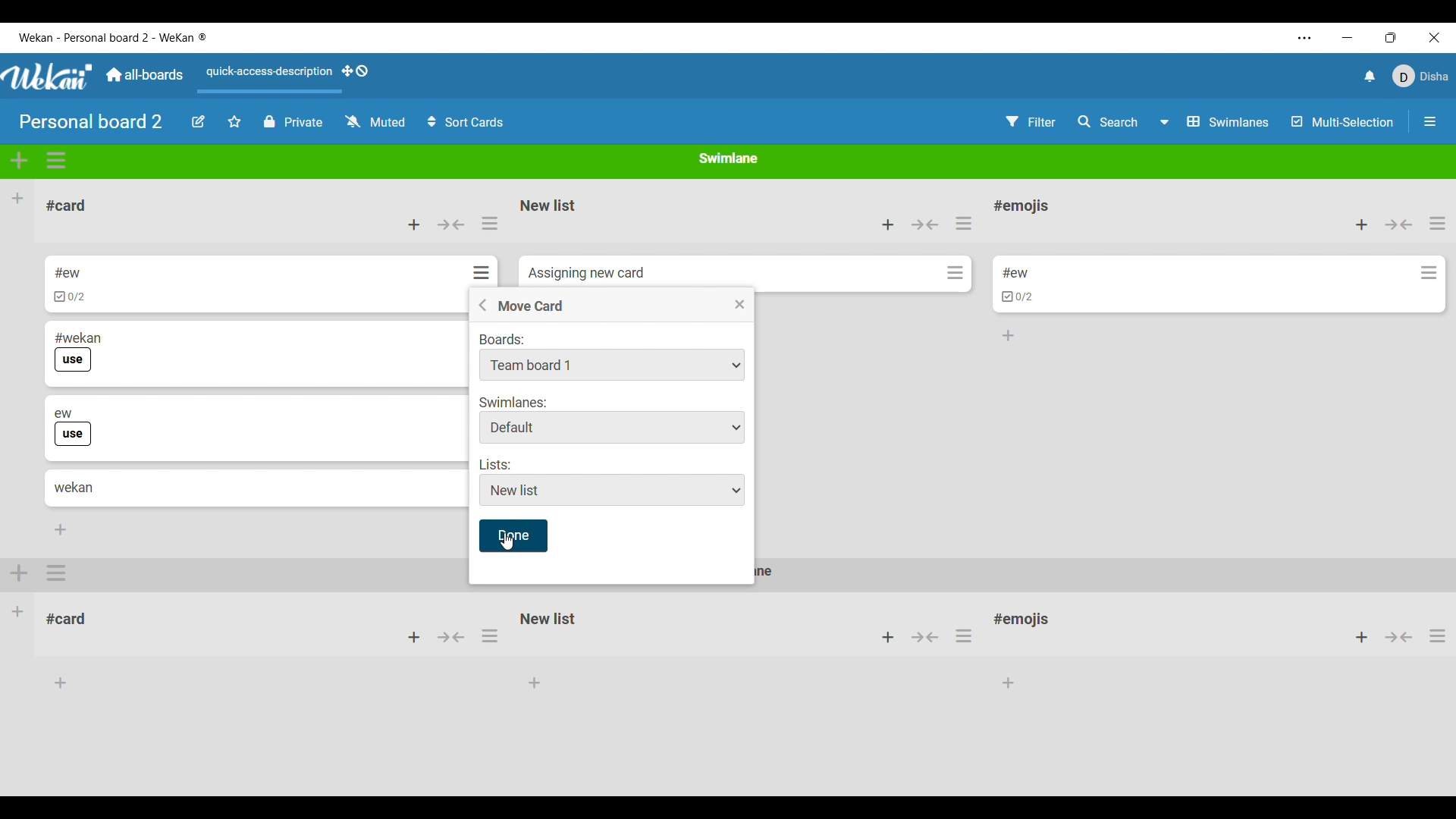 This screenshot has width=1456, height=819. Describe the element at coordinates (968, 635) in the screenshot. I see `options` at that location.